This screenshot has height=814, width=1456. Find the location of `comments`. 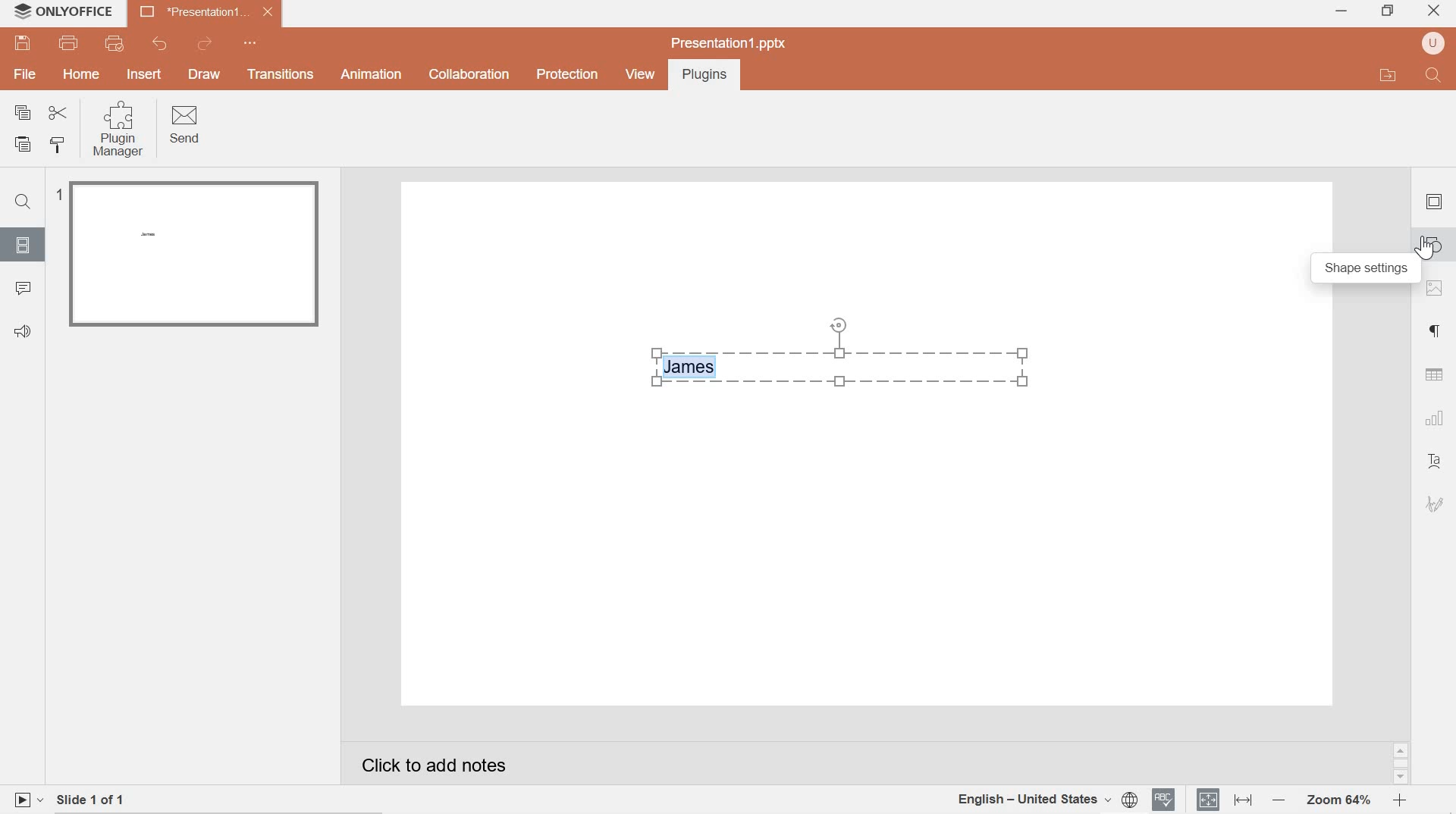

comments is located at coordinates (25, 290).